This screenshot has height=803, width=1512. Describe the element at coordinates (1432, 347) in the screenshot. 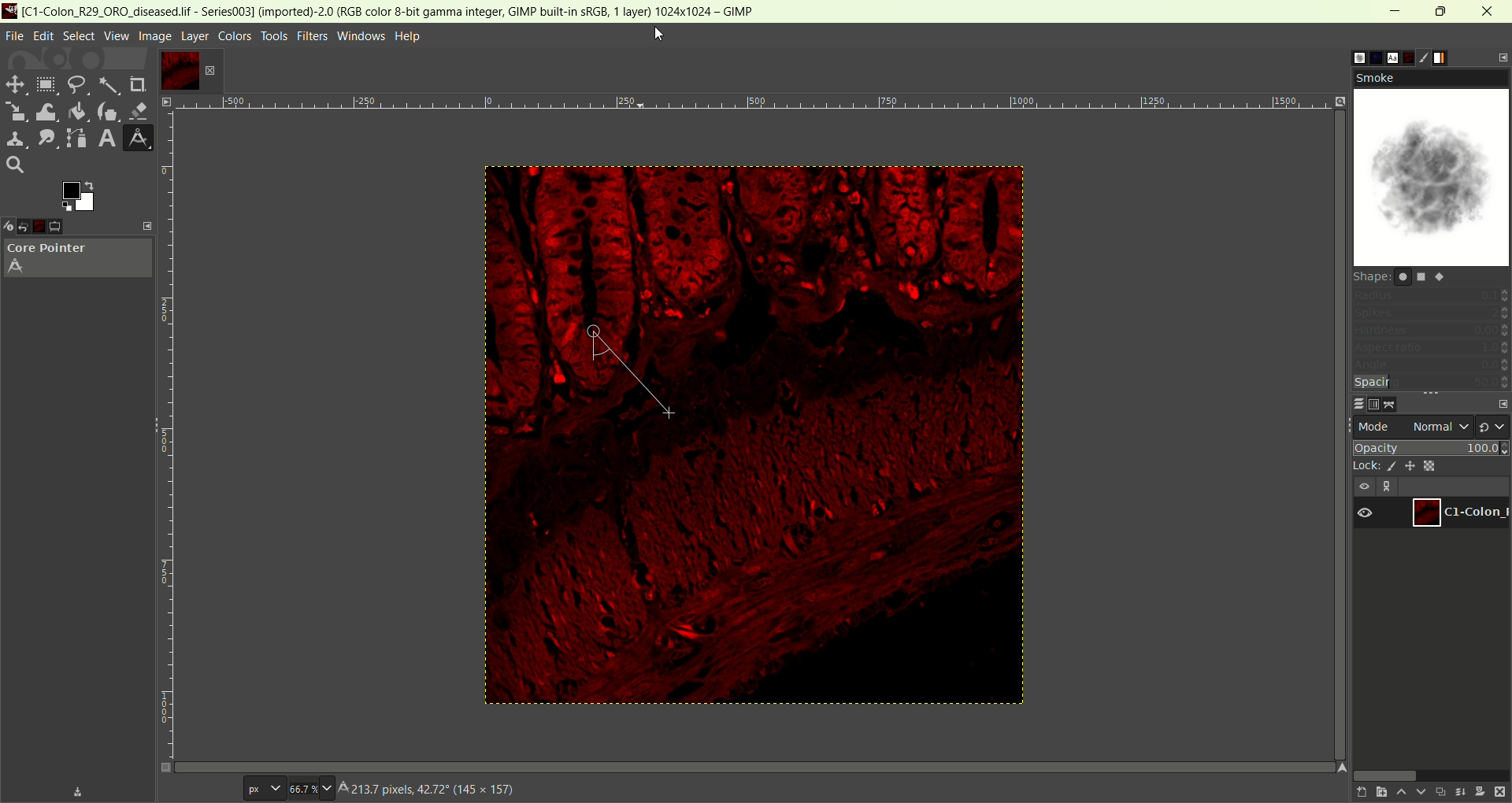

I see `aspect ratio` at that location.